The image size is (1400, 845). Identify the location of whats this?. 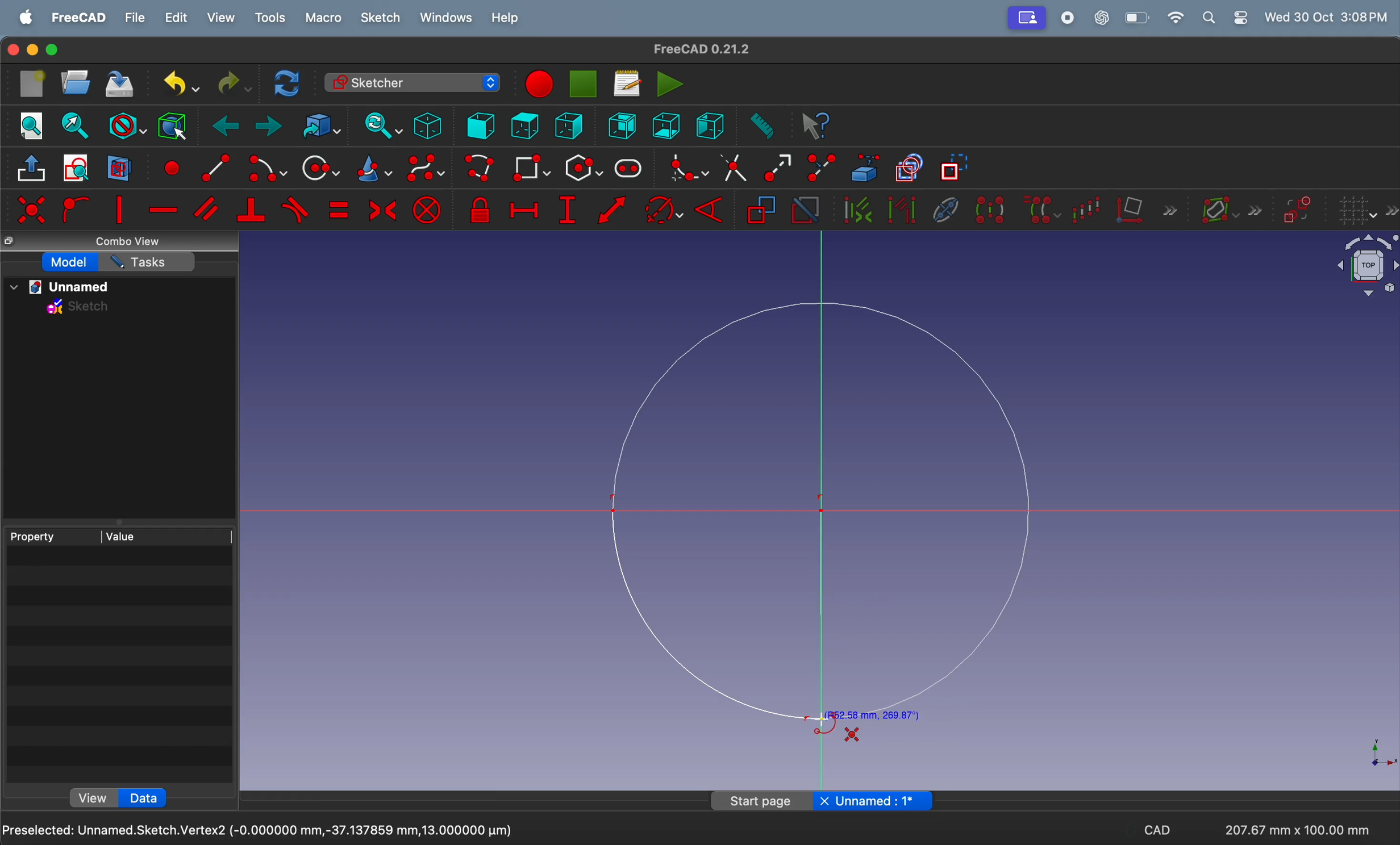
(816, 127).